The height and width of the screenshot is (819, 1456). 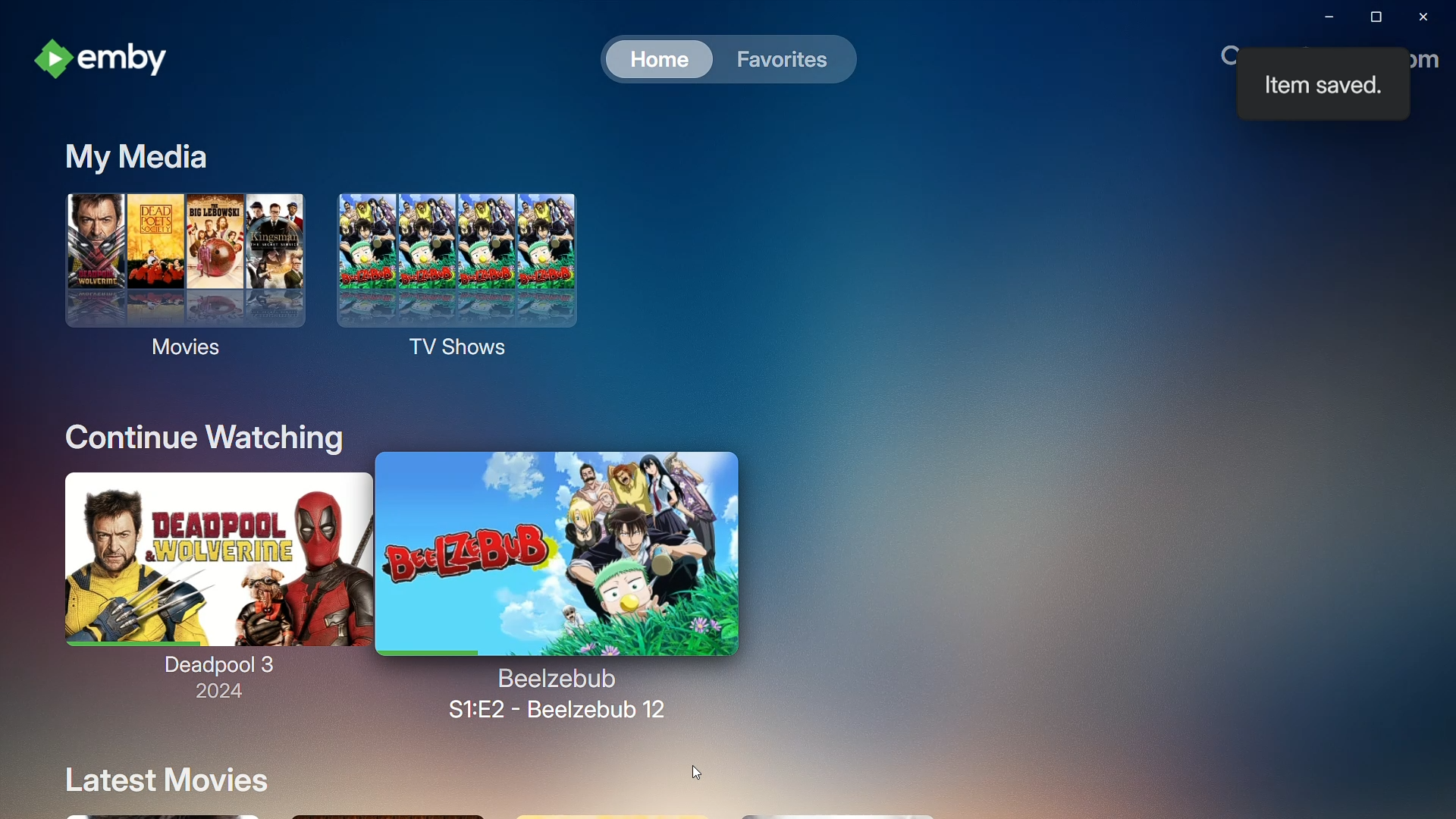 What do you see at coordinates (696, 772) in the screenshot?
I see `Cursor` at bounding box center [696, 772].